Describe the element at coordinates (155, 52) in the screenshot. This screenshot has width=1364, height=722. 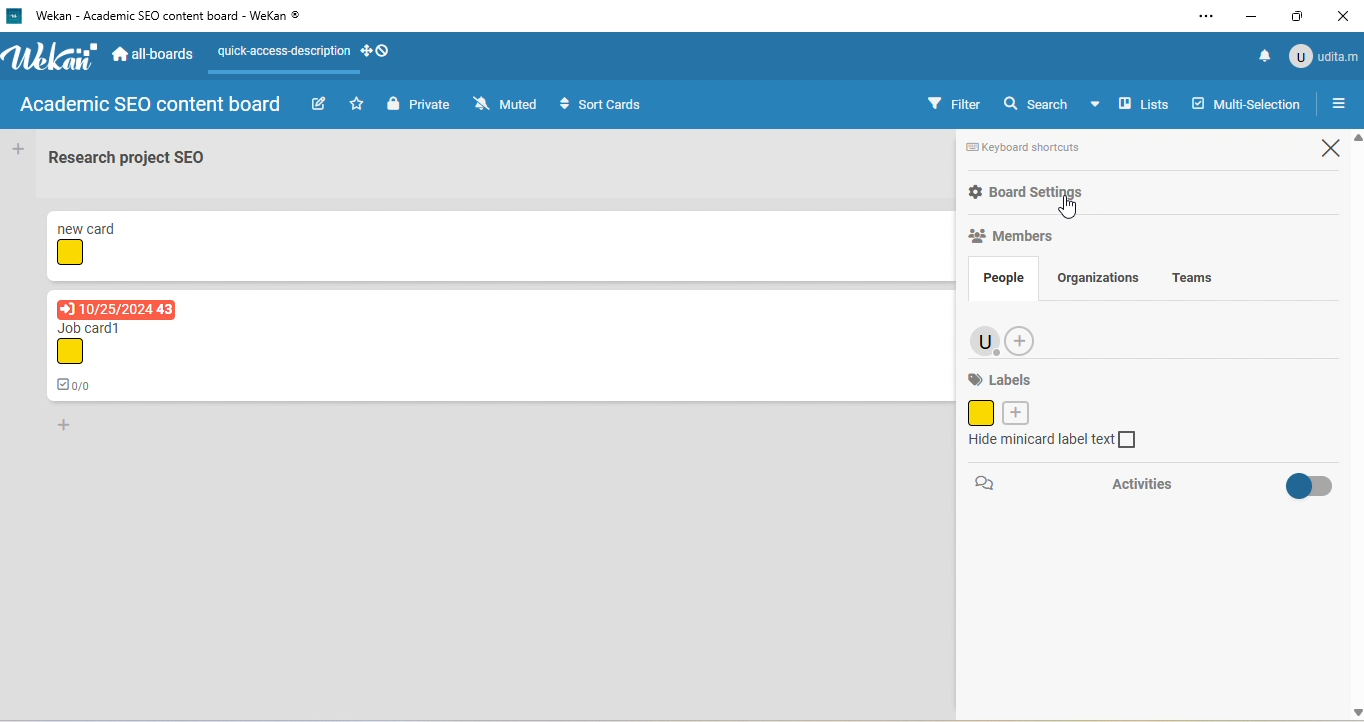
I see `all-boards` at that location.